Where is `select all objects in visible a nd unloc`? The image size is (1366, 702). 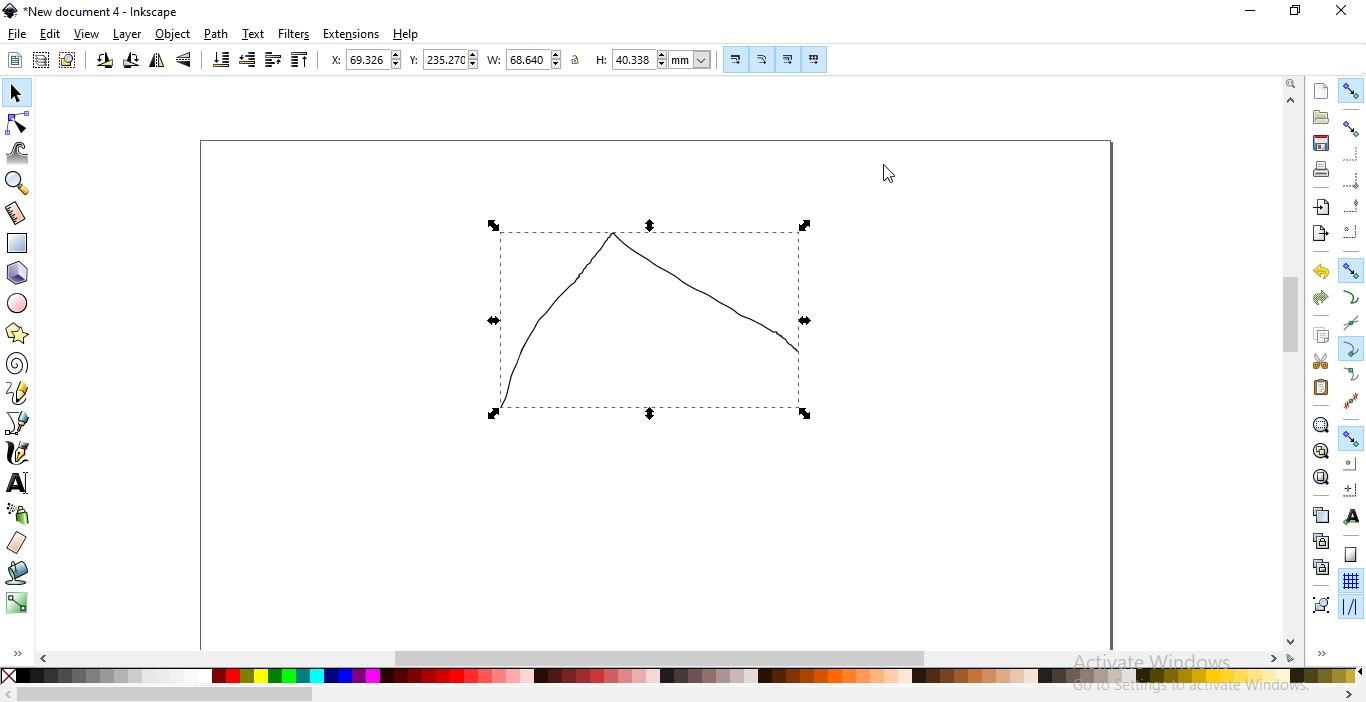 select all objects in visible a nd unloc is located at coordinates (40, 60).